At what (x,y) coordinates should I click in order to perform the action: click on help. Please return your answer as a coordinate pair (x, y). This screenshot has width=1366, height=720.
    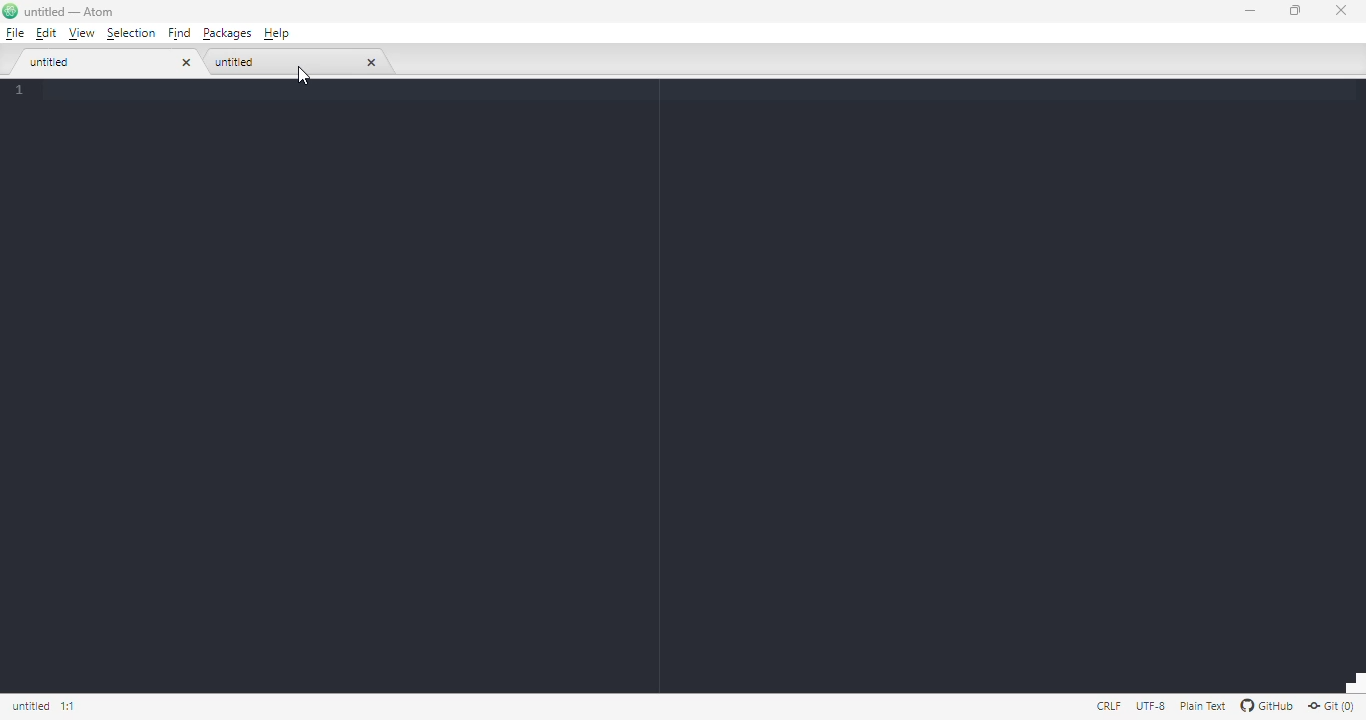
    Looking at the image, I should click on (277, 34).